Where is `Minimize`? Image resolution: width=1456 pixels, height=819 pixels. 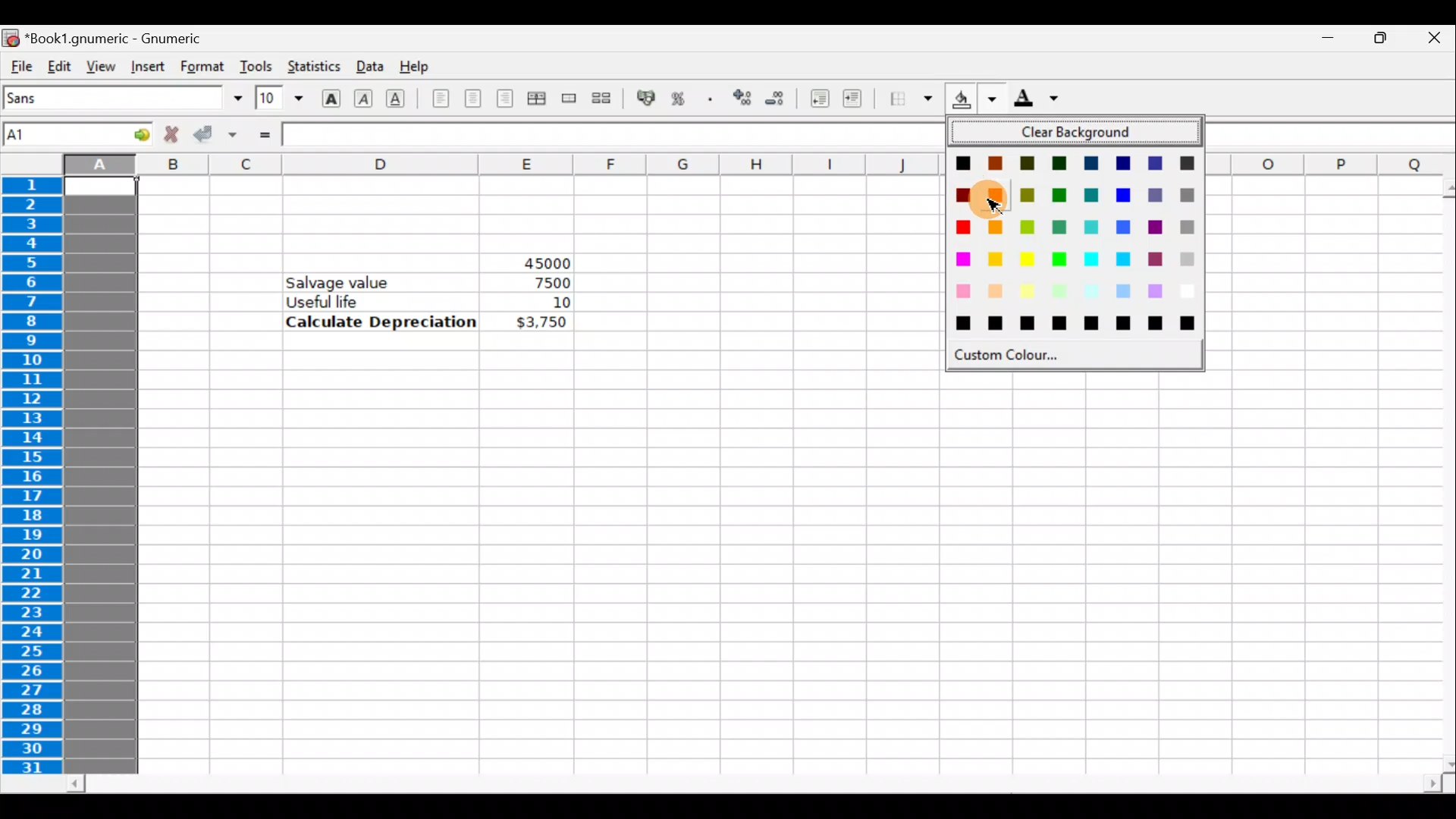 Minimize is located at coordinates (1320, 42).